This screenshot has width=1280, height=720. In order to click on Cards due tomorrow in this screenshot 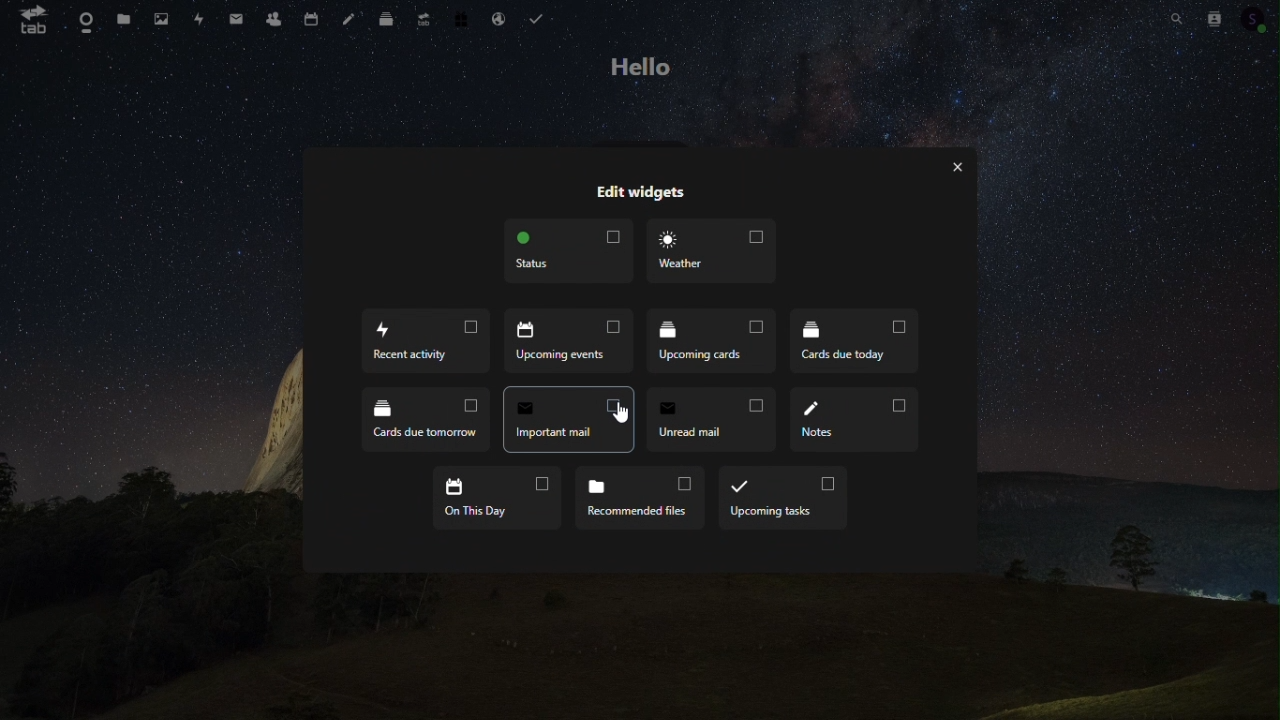, I will do `click(416, 418)`.